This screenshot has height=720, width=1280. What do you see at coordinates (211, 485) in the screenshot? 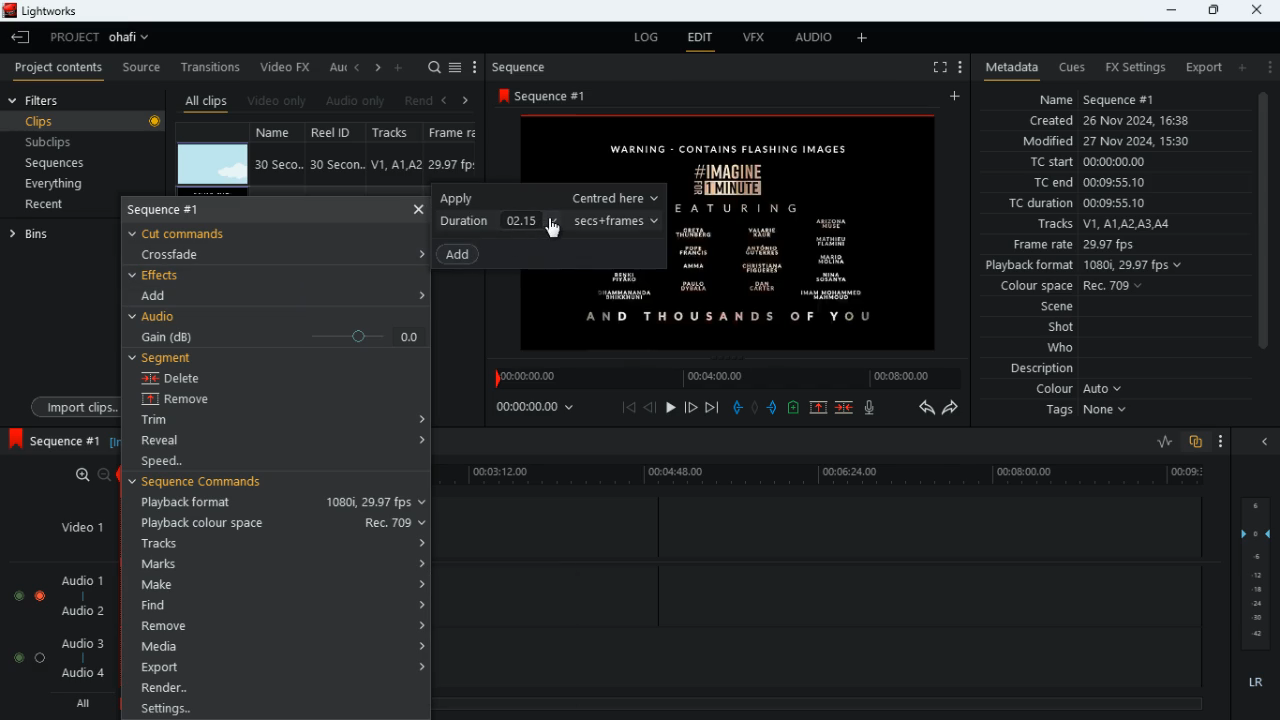
I see `sequence commands` at bounding box center [211, 485].